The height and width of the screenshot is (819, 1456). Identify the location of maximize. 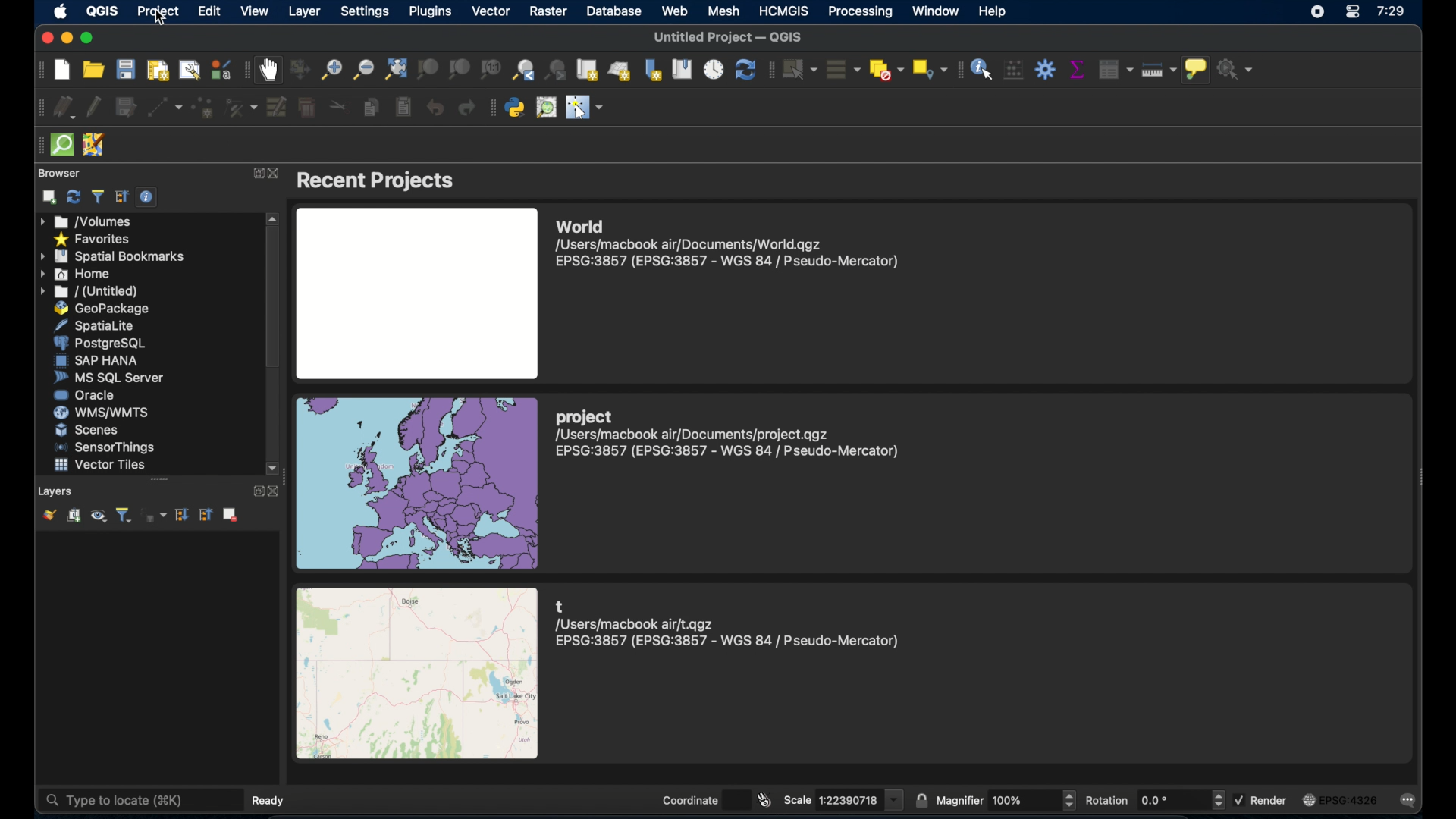
(90, 37).